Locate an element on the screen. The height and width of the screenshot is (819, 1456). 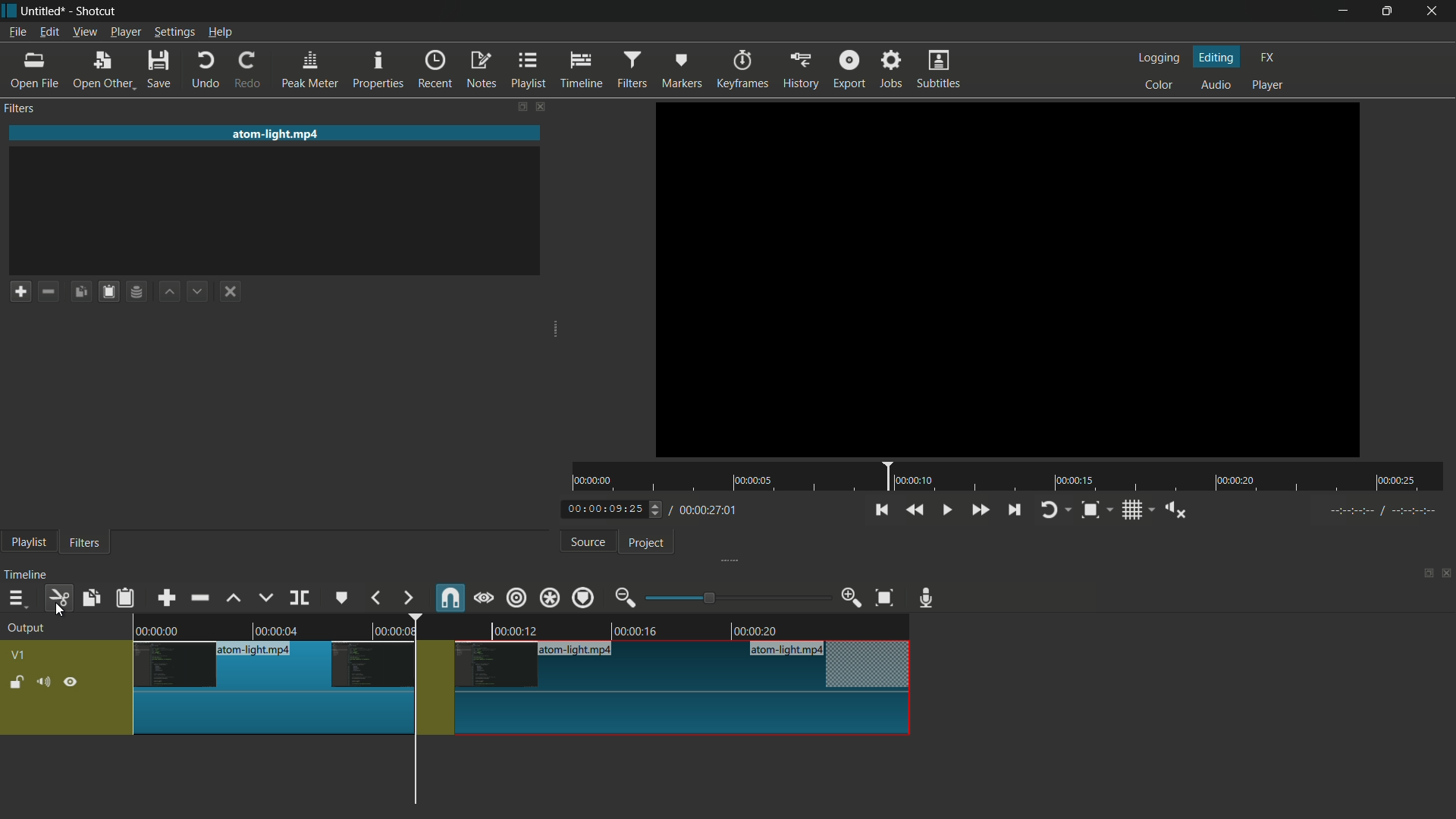
lift is located at coordinates (234, 598).